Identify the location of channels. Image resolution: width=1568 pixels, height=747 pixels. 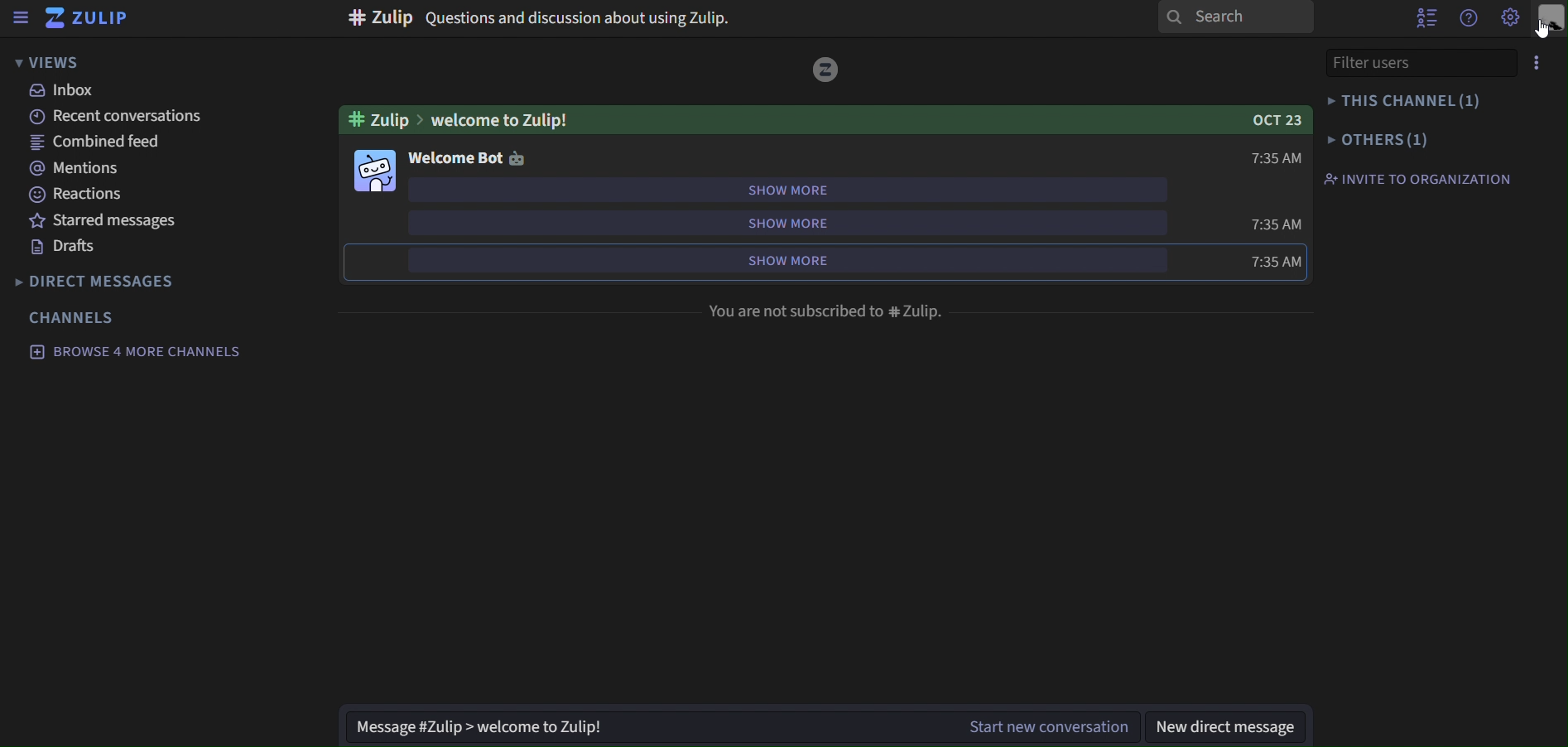
(75, 317).